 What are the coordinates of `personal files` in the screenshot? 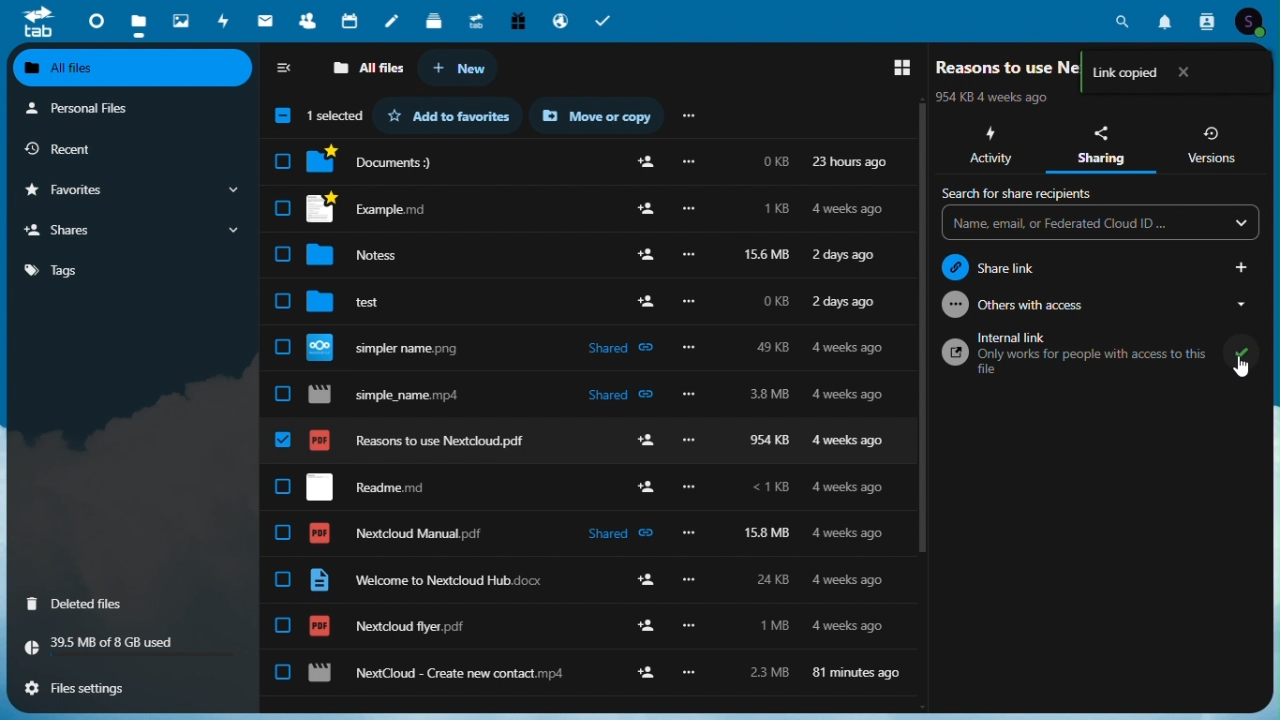 It's located at (127, 107).